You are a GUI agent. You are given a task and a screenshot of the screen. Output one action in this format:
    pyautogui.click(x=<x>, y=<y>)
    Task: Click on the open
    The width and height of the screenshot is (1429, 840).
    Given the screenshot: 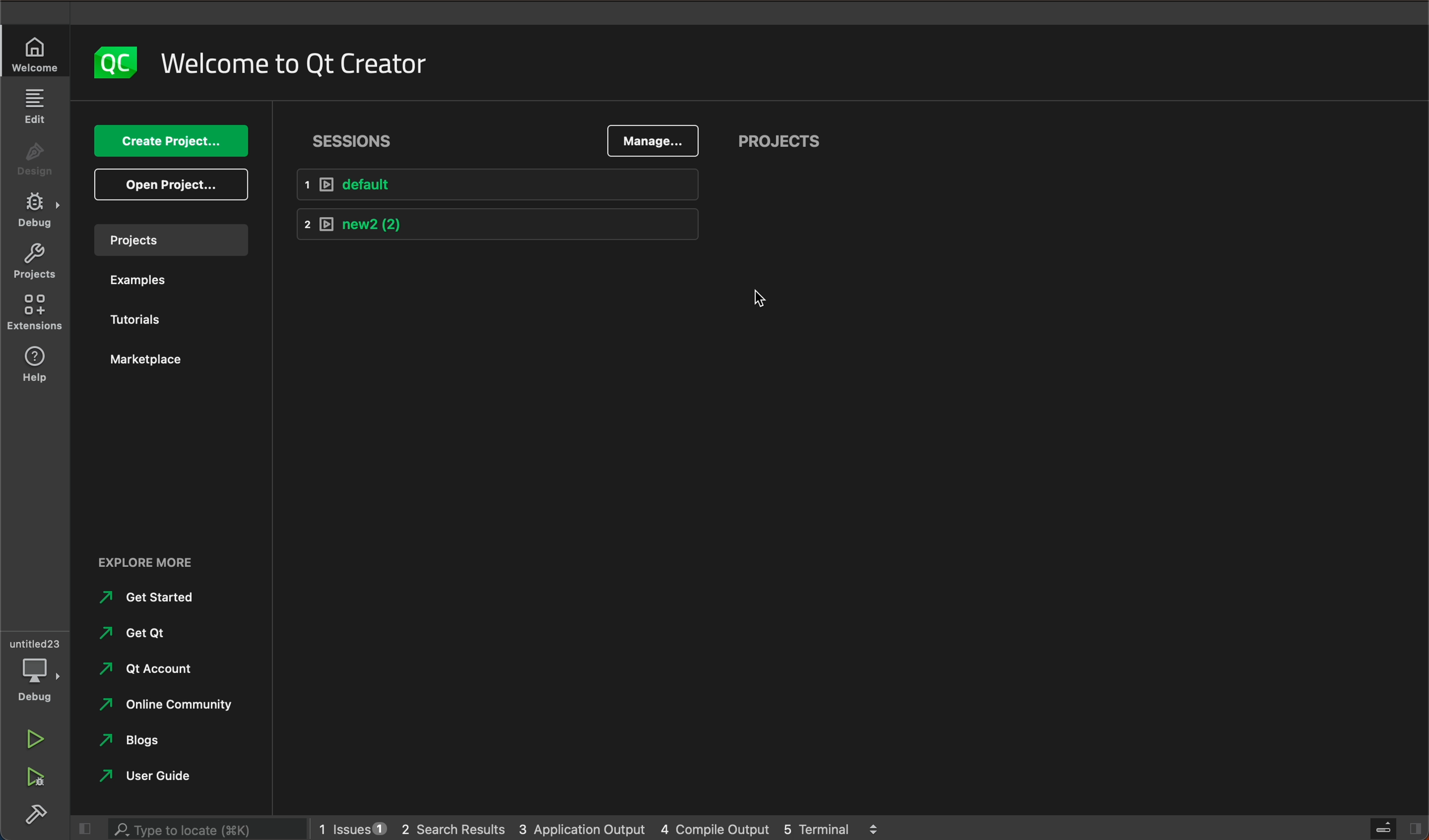 What is the action you would take?
    pyautogui.click(x=170, y=184)
    